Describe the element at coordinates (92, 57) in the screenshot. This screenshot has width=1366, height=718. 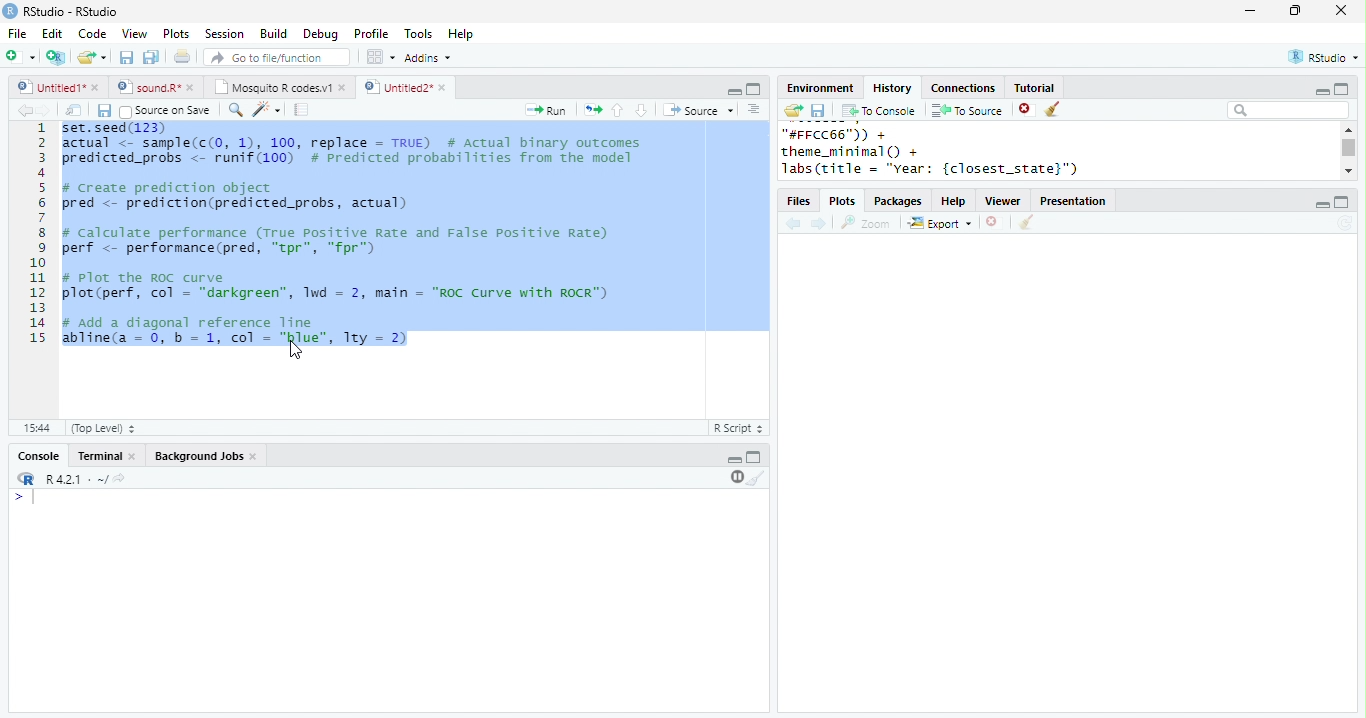
I see `open file` at that location.